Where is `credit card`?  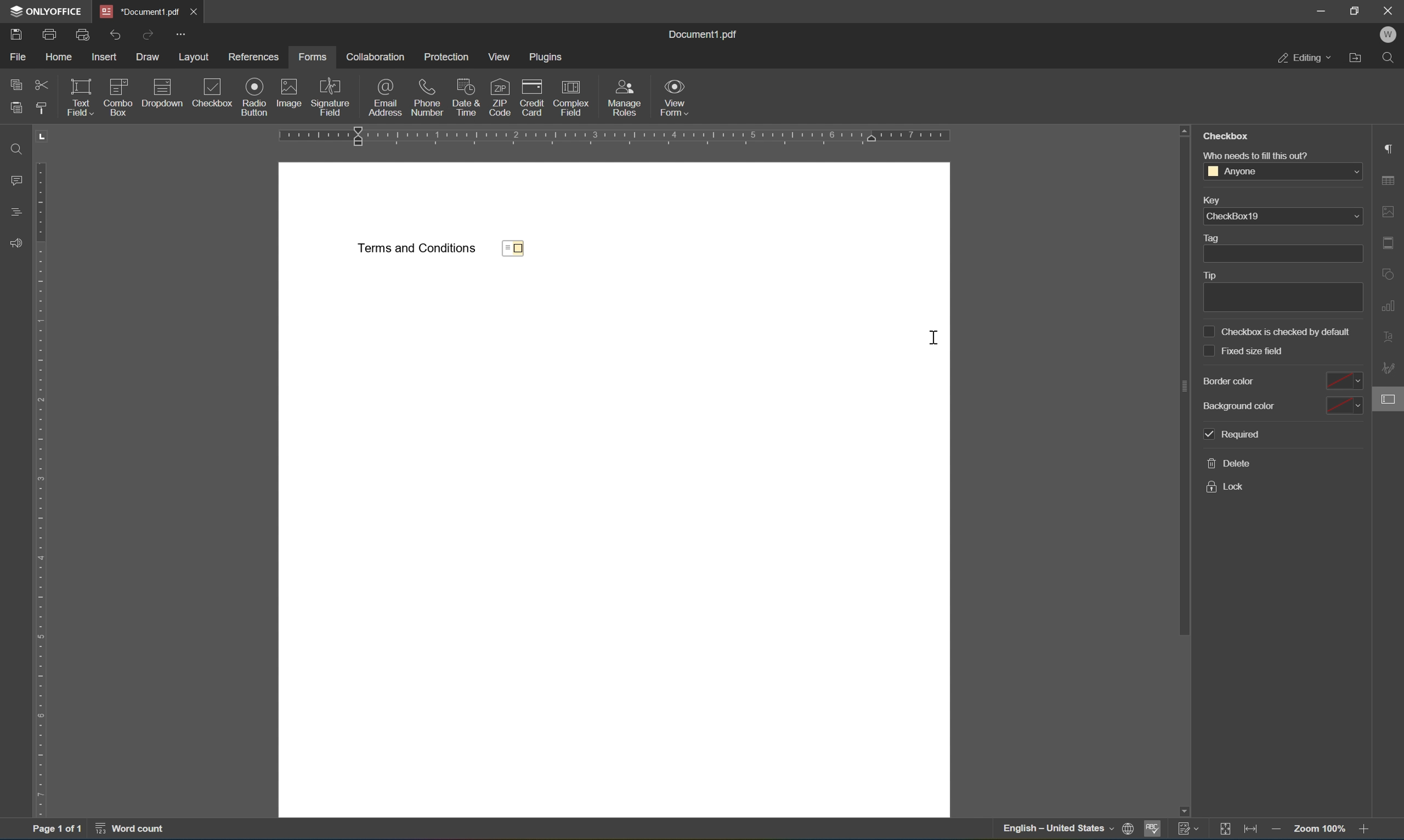 credit card is located at coordinates (529, 96).